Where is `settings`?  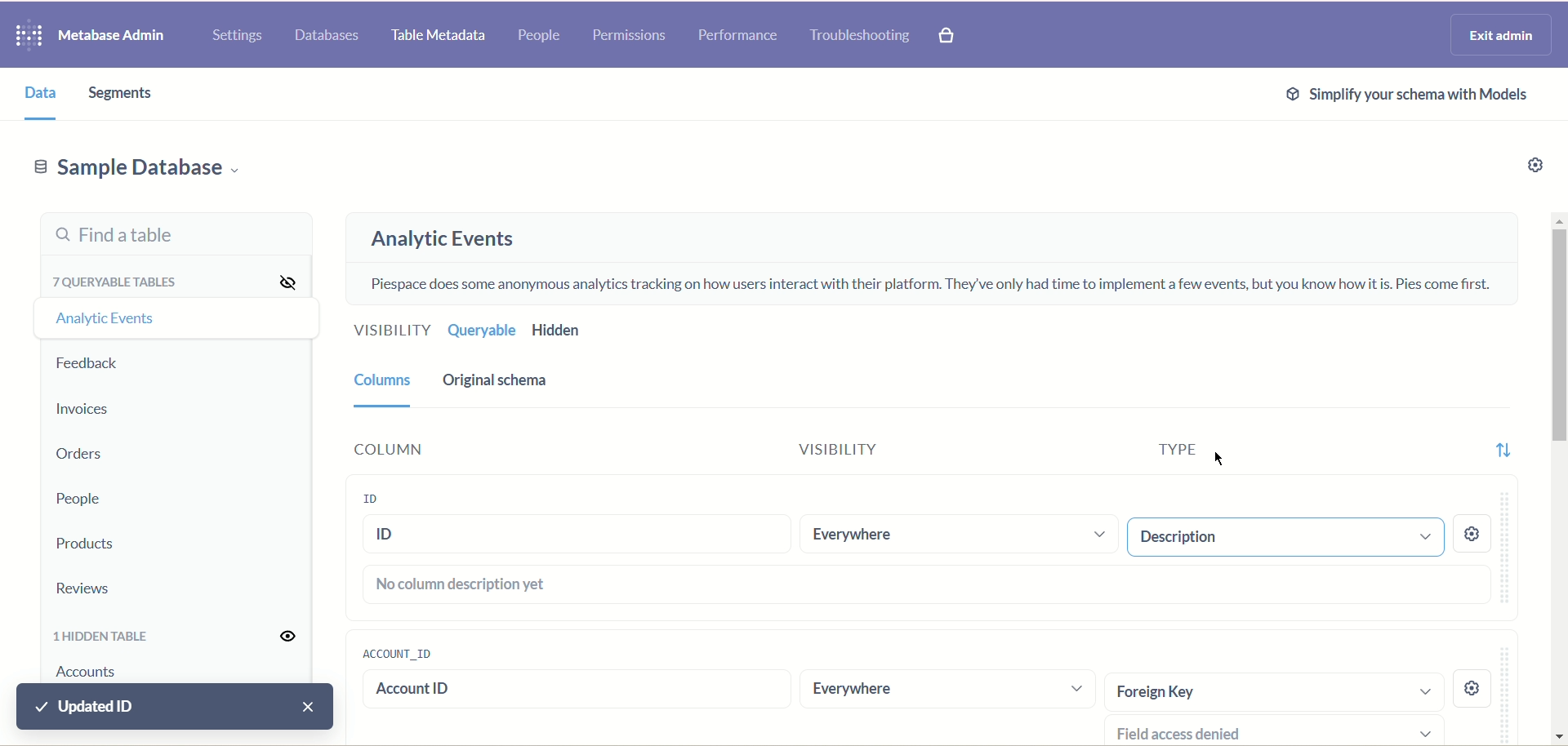
settings is located at coordinates (1472, 535).